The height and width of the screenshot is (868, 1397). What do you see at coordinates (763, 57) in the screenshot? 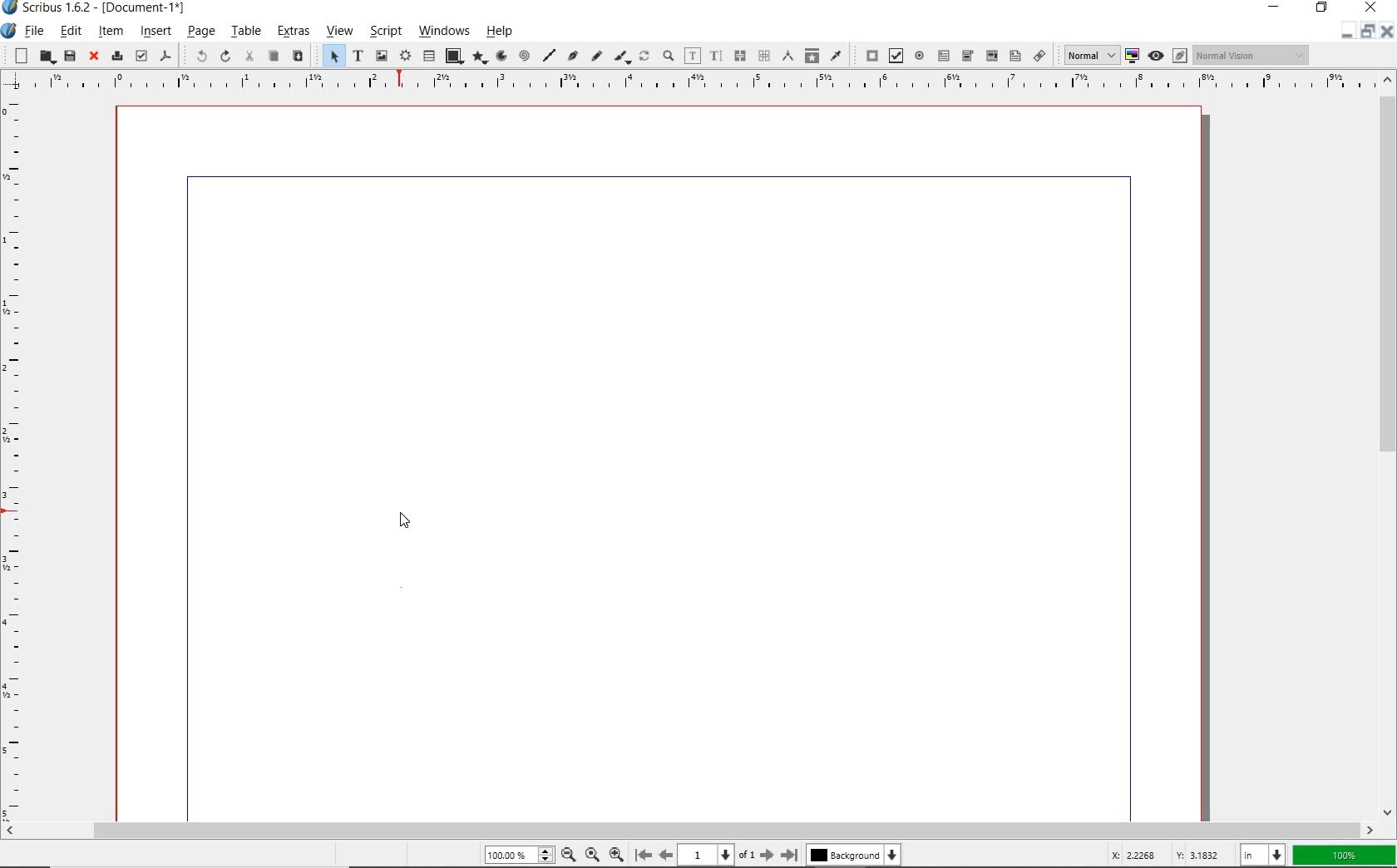
I see `unlink text frames` at bounding box center [763, 57].